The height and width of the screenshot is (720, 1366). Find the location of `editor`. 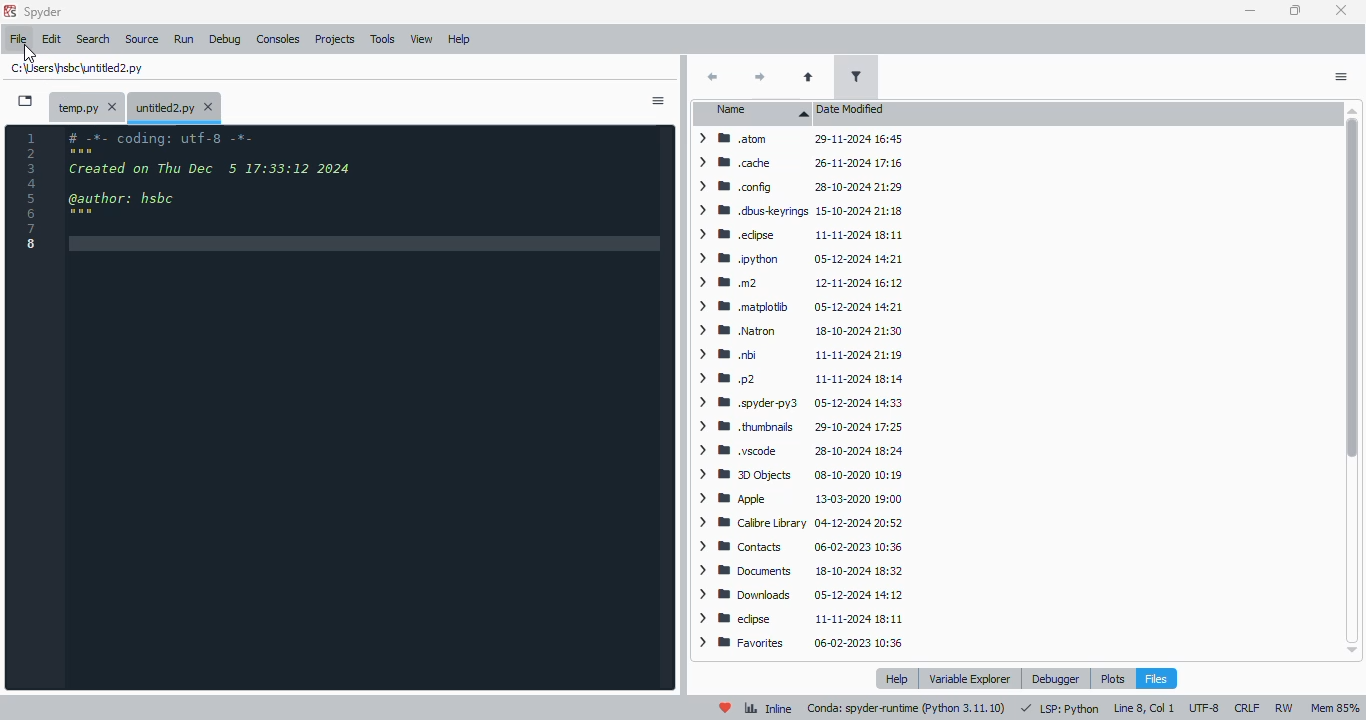

editor is located at coordinates (367, 408).